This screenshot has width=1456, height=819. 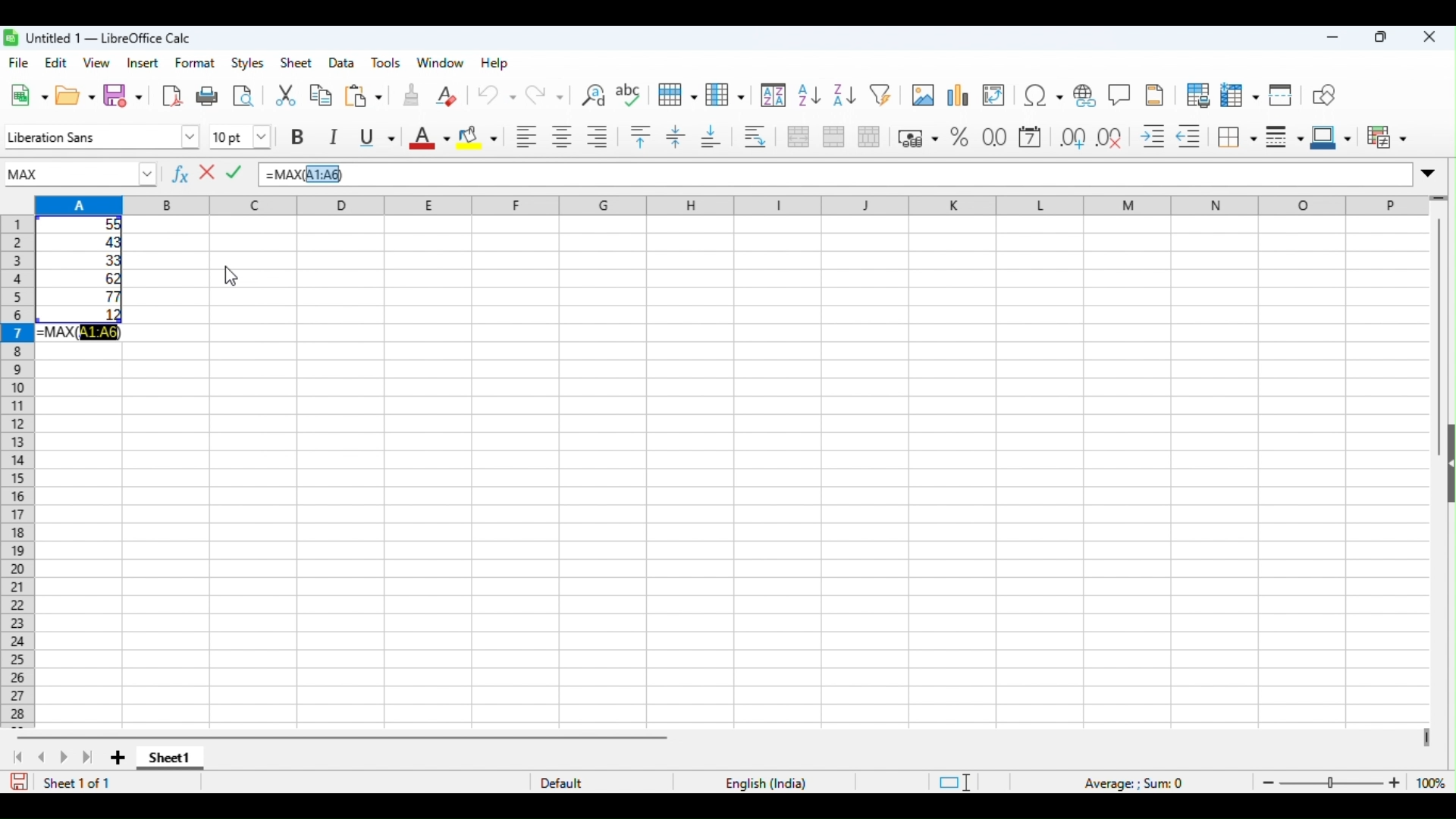 What do you see at coordinates (869, 137) in the screenshot?
I see `unmerge cells` at bounding box center [869, 137].